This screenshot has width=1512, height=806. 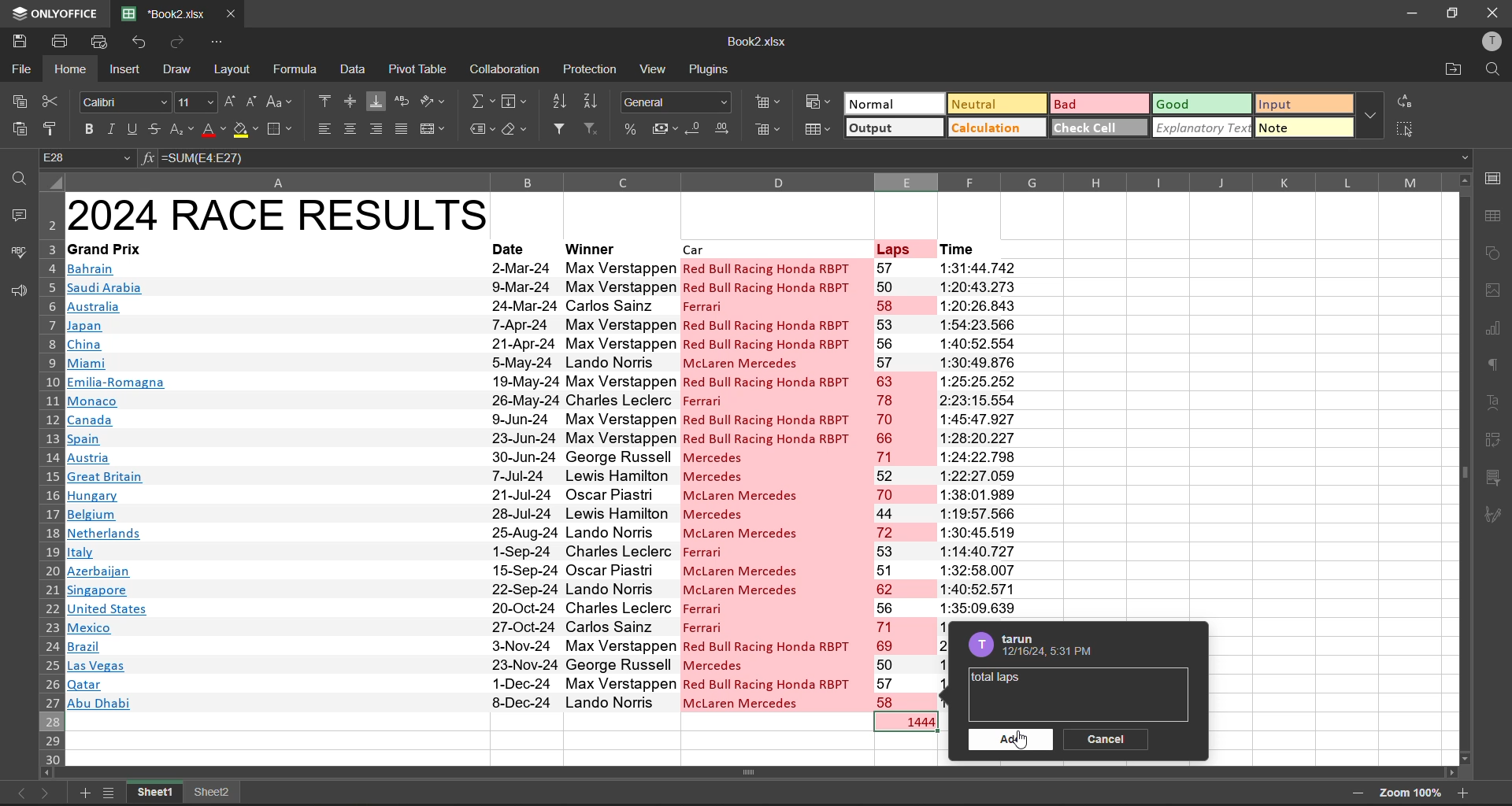 What do you see at coordinates (213, 130) in the screenshot?
I see `font color` at bounding box center [213, 130].